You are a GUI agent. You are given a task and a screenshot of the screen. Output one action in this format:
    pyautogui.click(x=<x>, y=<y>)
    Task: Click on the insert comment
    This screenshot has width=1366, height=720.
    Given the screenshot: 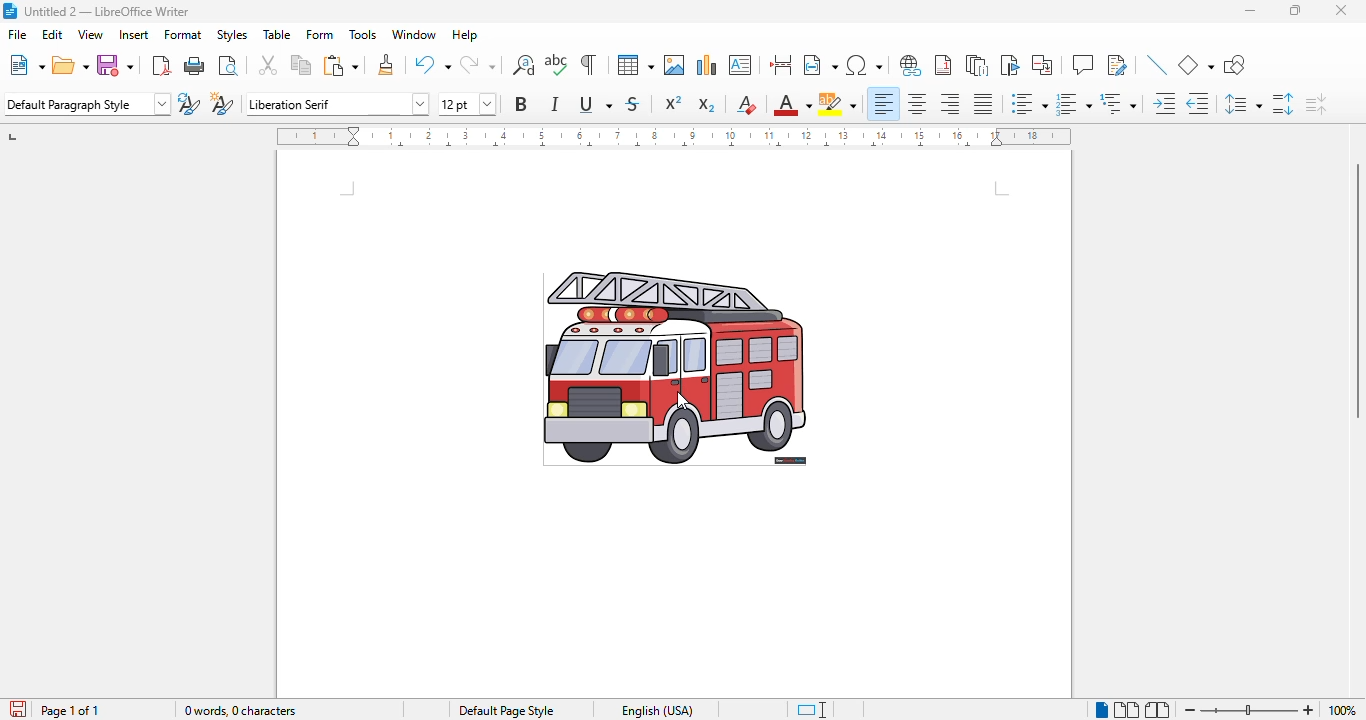 What is the action you would take?
    pyautogui.click(x=1083, y=64)
    